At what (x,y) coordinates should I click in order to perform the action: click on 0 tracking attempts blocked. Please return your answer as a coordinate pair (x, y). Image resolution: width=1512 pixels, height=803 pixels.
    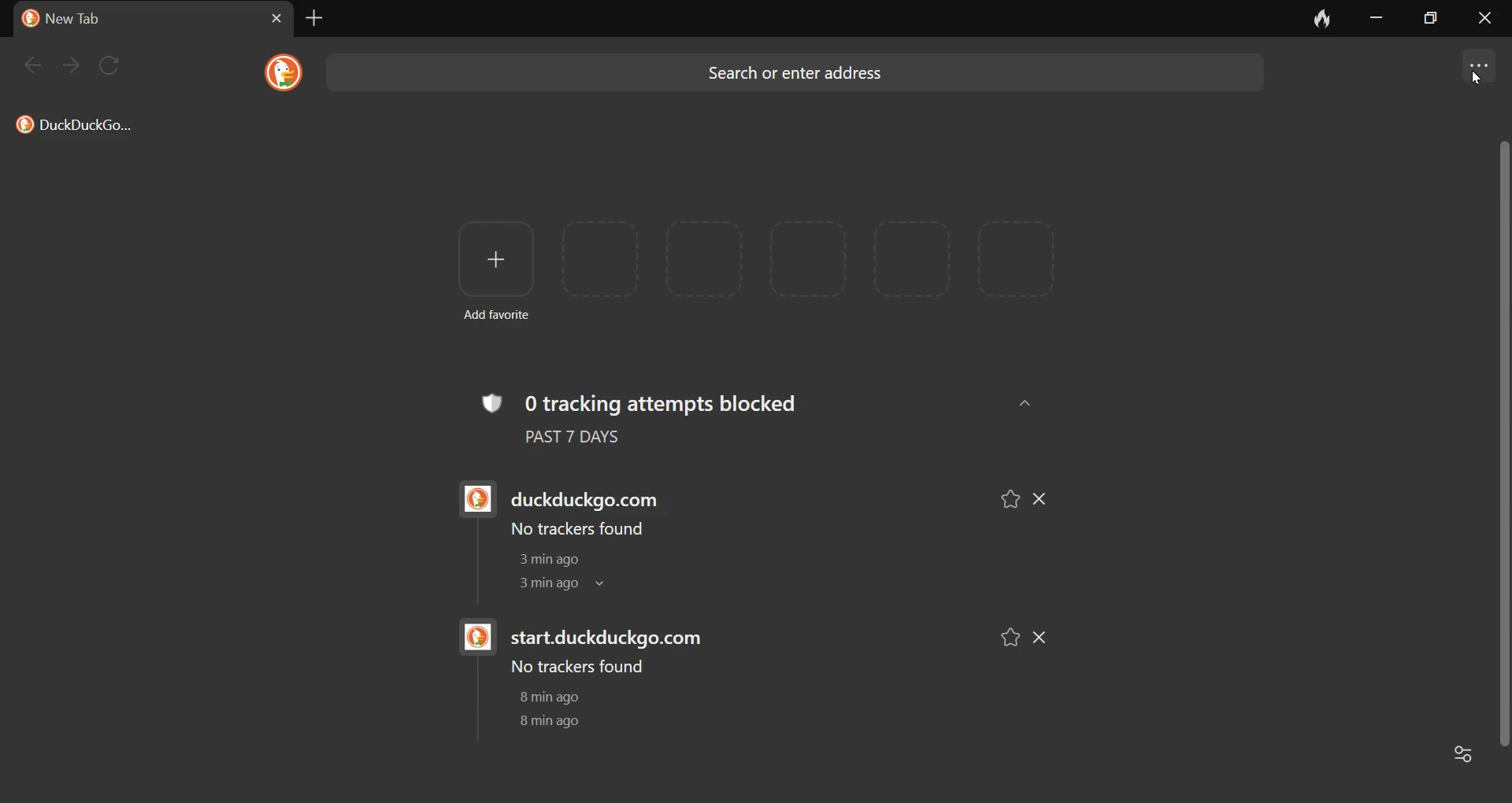
    Looking at the image, I should click on (683, 401).